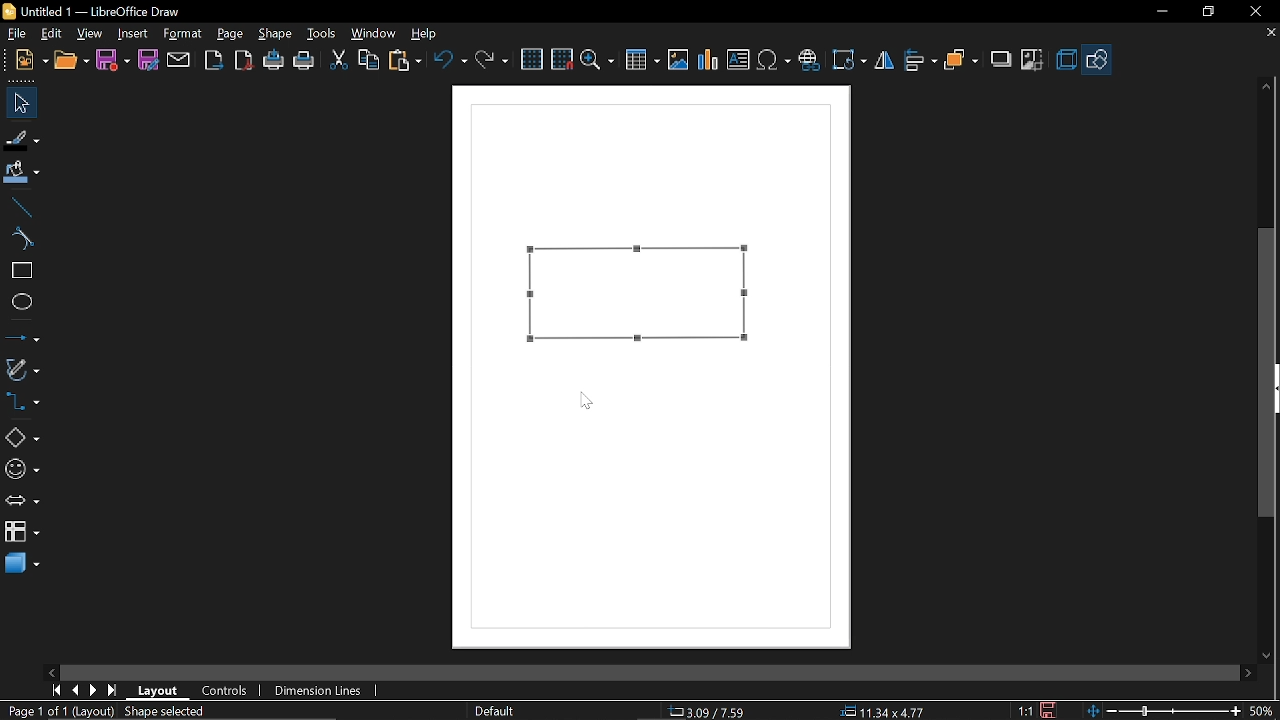  I want to click on undo, so click(451, 63).